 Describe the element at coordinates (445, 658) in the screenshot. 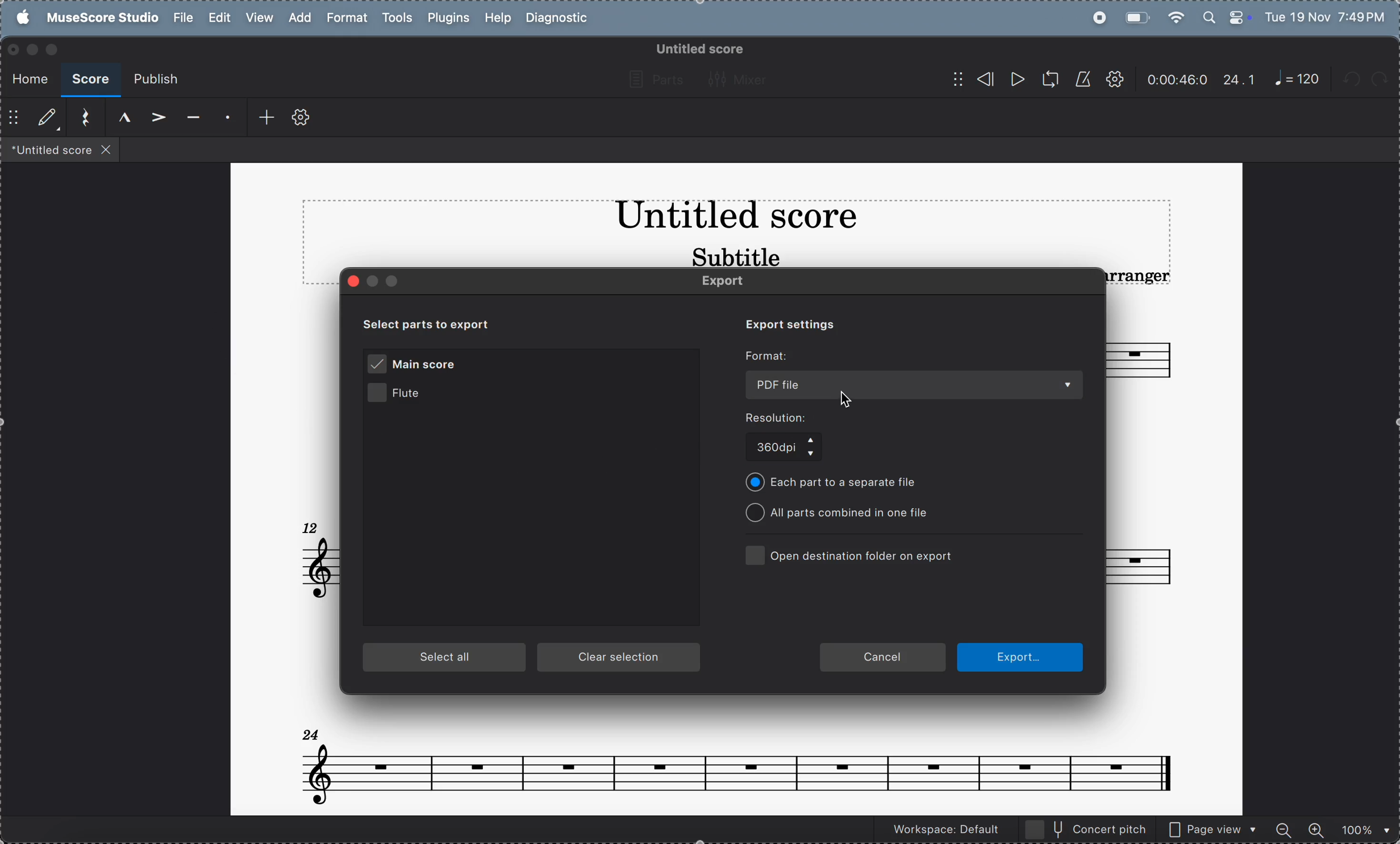

I see `select all` at that location.